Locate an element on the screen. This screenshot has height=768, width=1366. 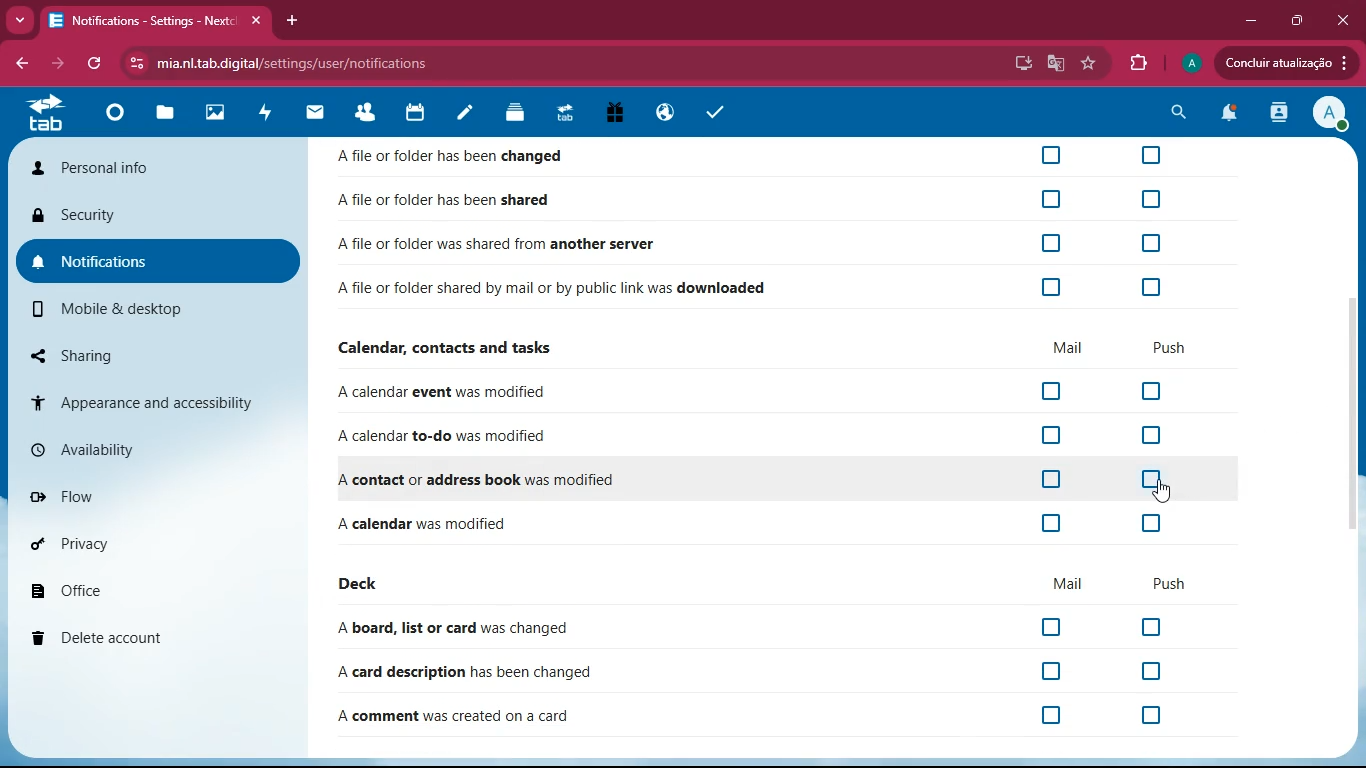
A file or folder has been changed is located at coordinates (457, 157).